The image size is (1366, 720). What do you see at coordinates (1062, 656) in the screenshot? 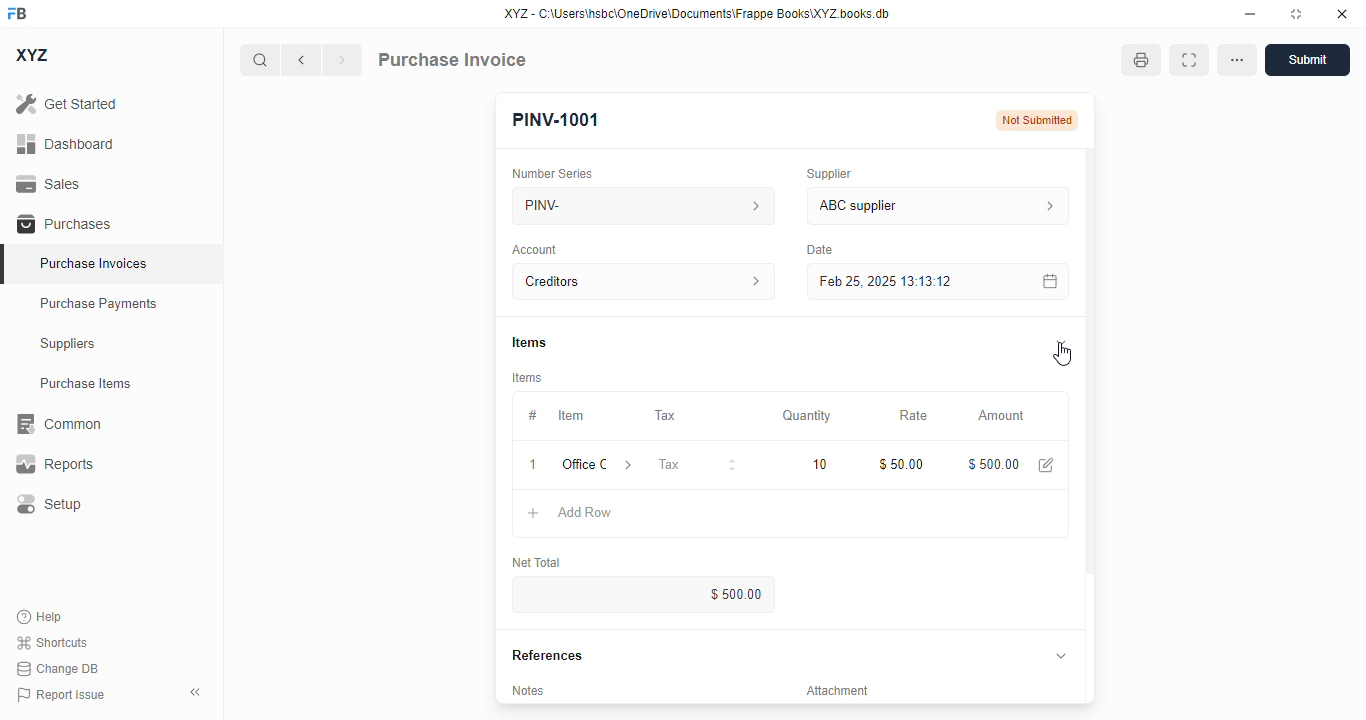
I see `toggle expand/collapse` at bounding box center [1062, 656].